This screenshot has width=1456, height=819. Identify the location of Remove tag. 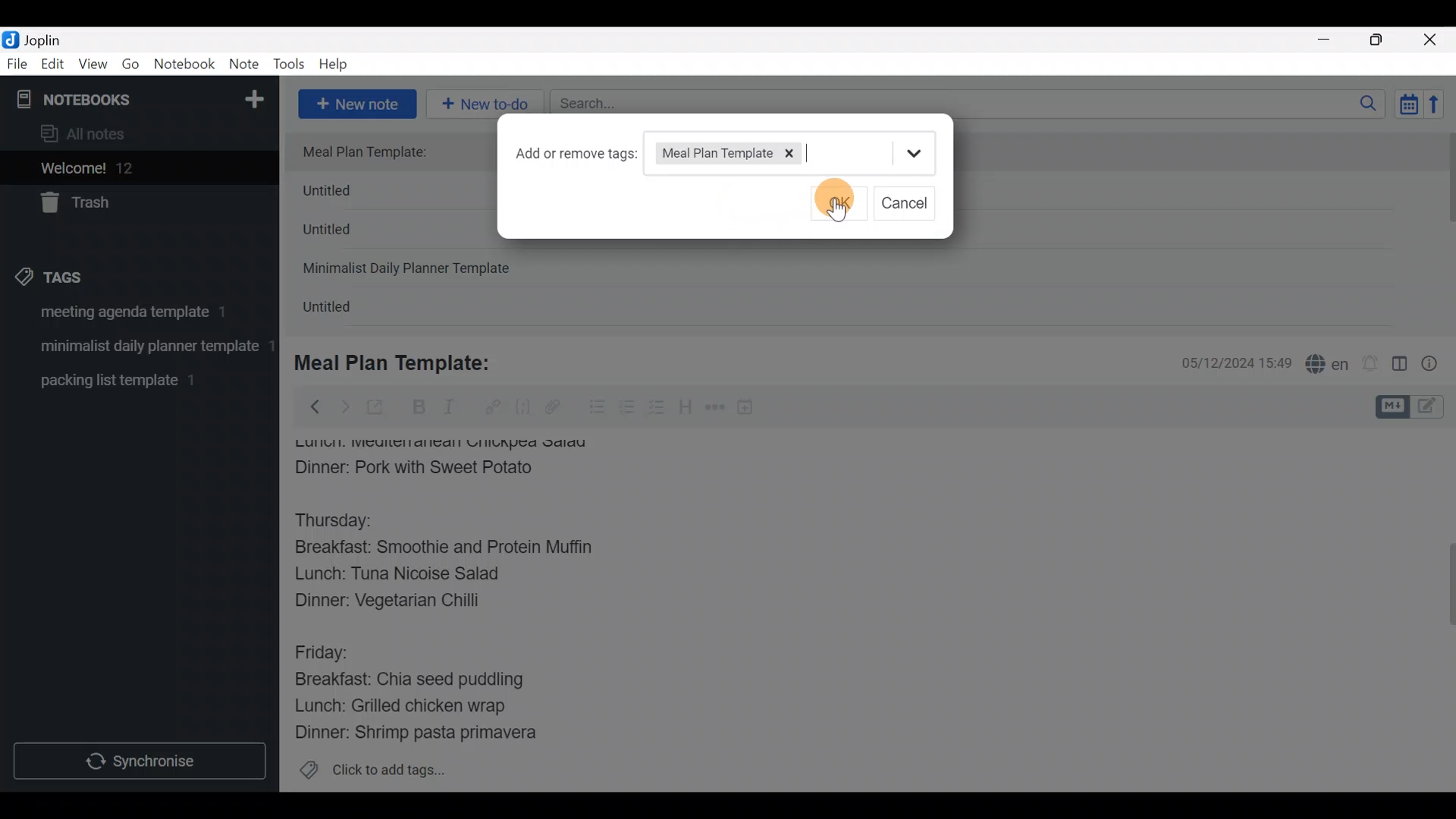
(795, 155).